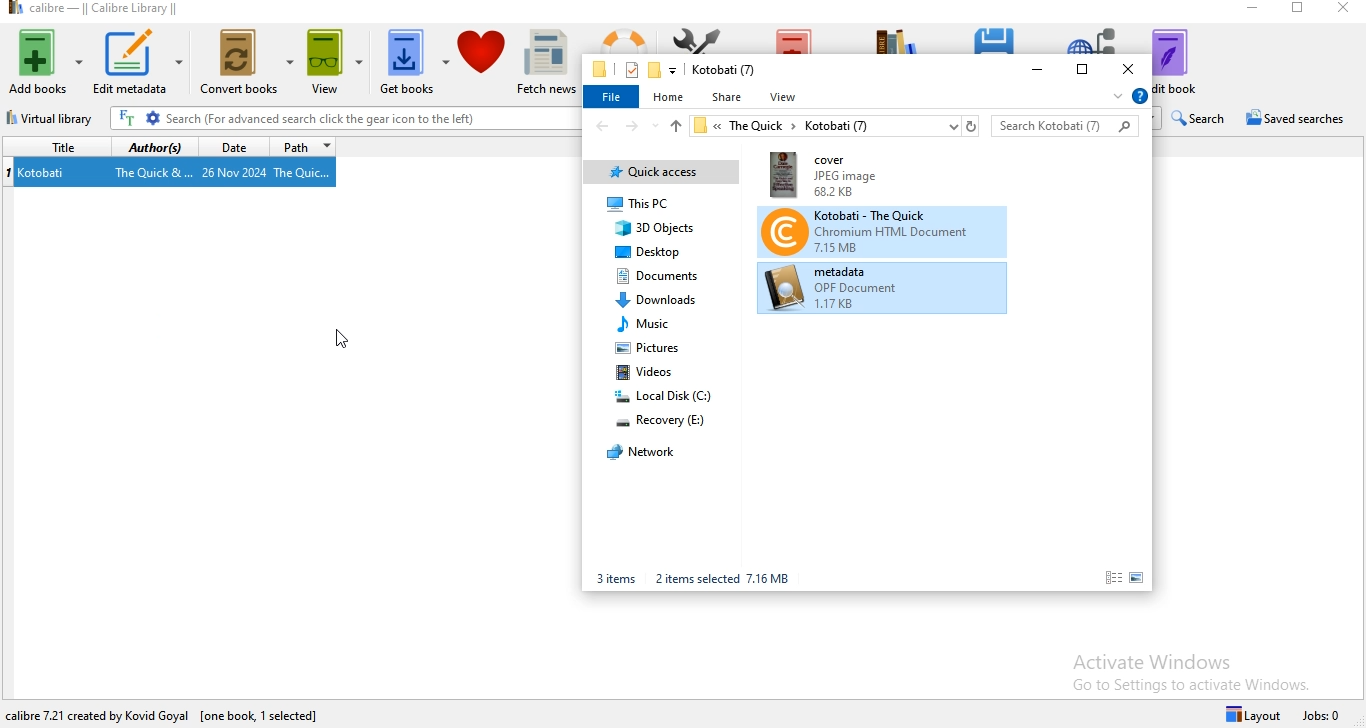  Describe the element at coordinates (1116, 97) in the screenshot. I see `dropdown` at that location.